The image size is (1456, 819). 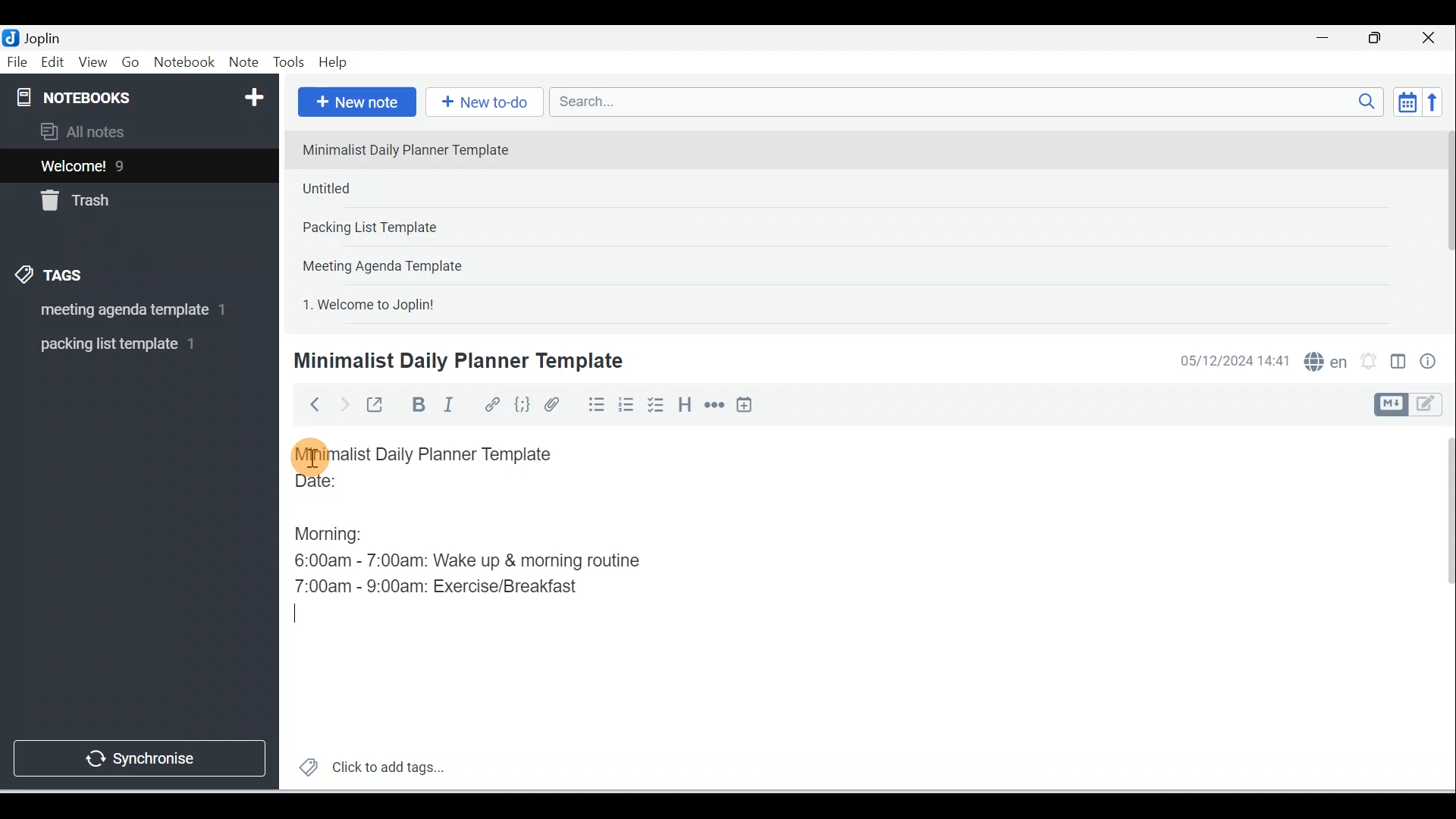 What do you see at coordinates (1398, 364) in the screenshot?
I see `Toggle editors` at bounding box center [1398, 364].